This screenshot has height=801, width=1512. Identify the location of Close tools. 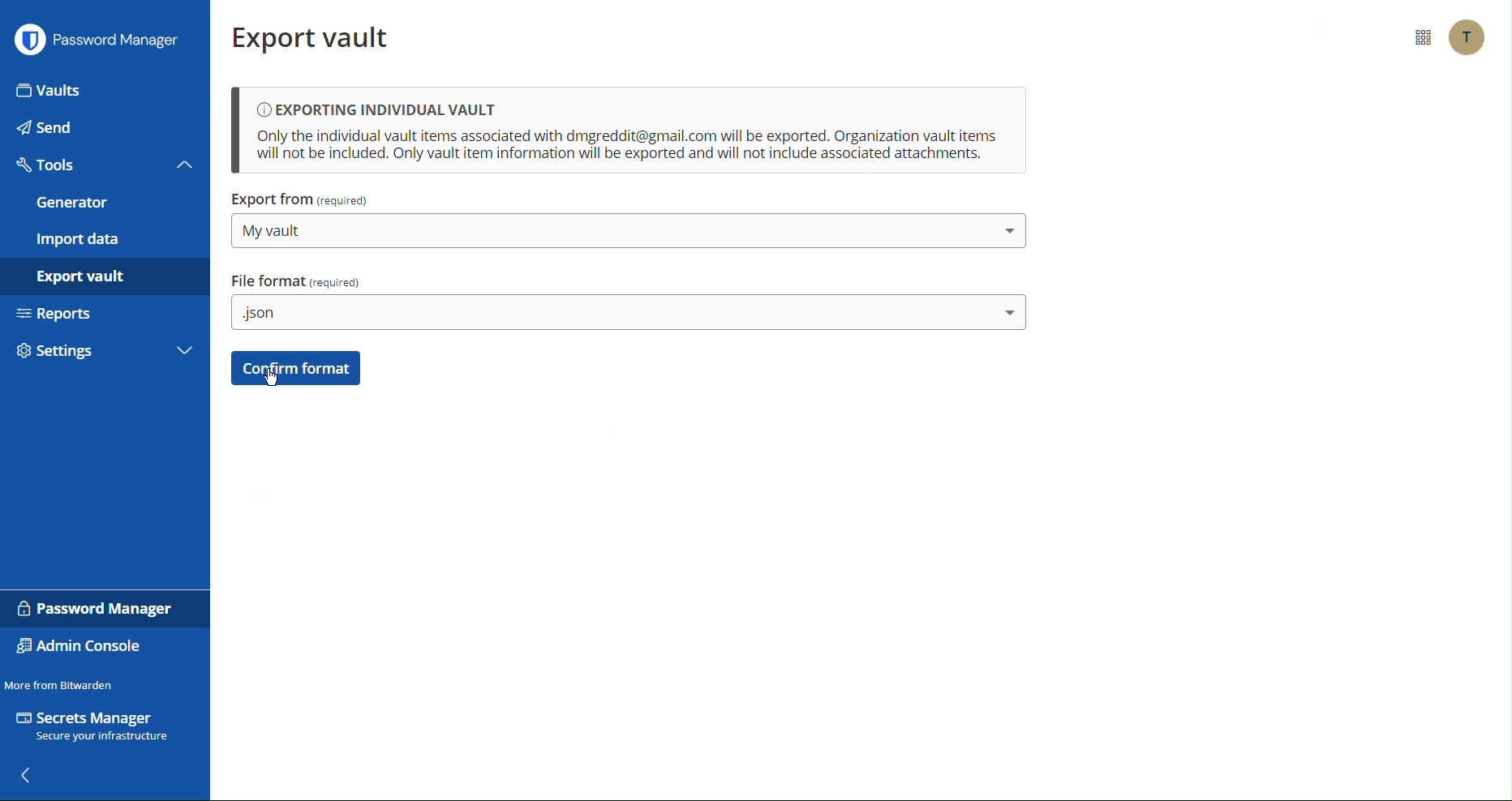
(186, 165).